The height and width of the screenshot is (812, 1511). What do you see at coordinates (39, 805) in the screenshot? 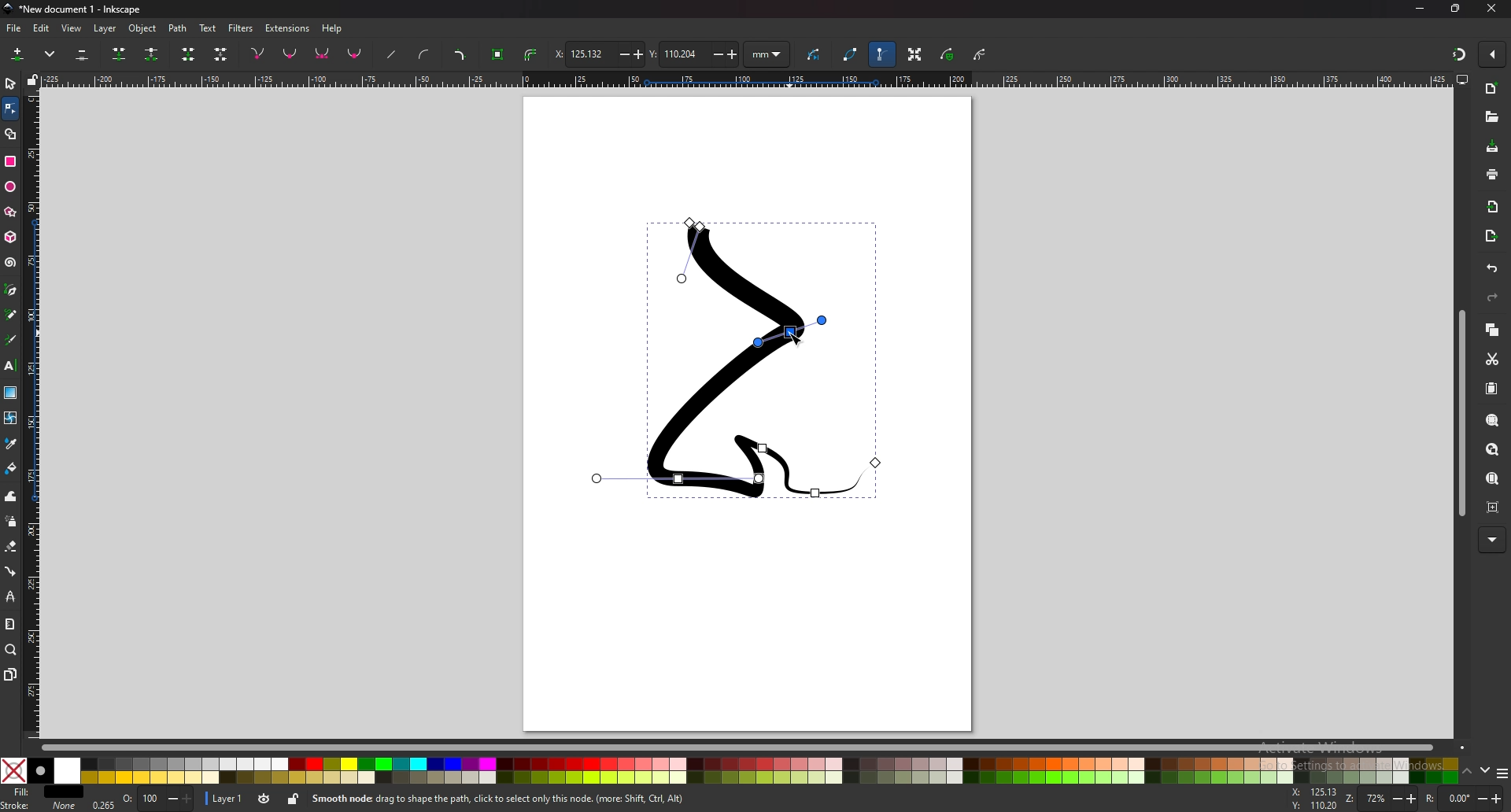
I see `stroke` at bounding box center [39, 805].